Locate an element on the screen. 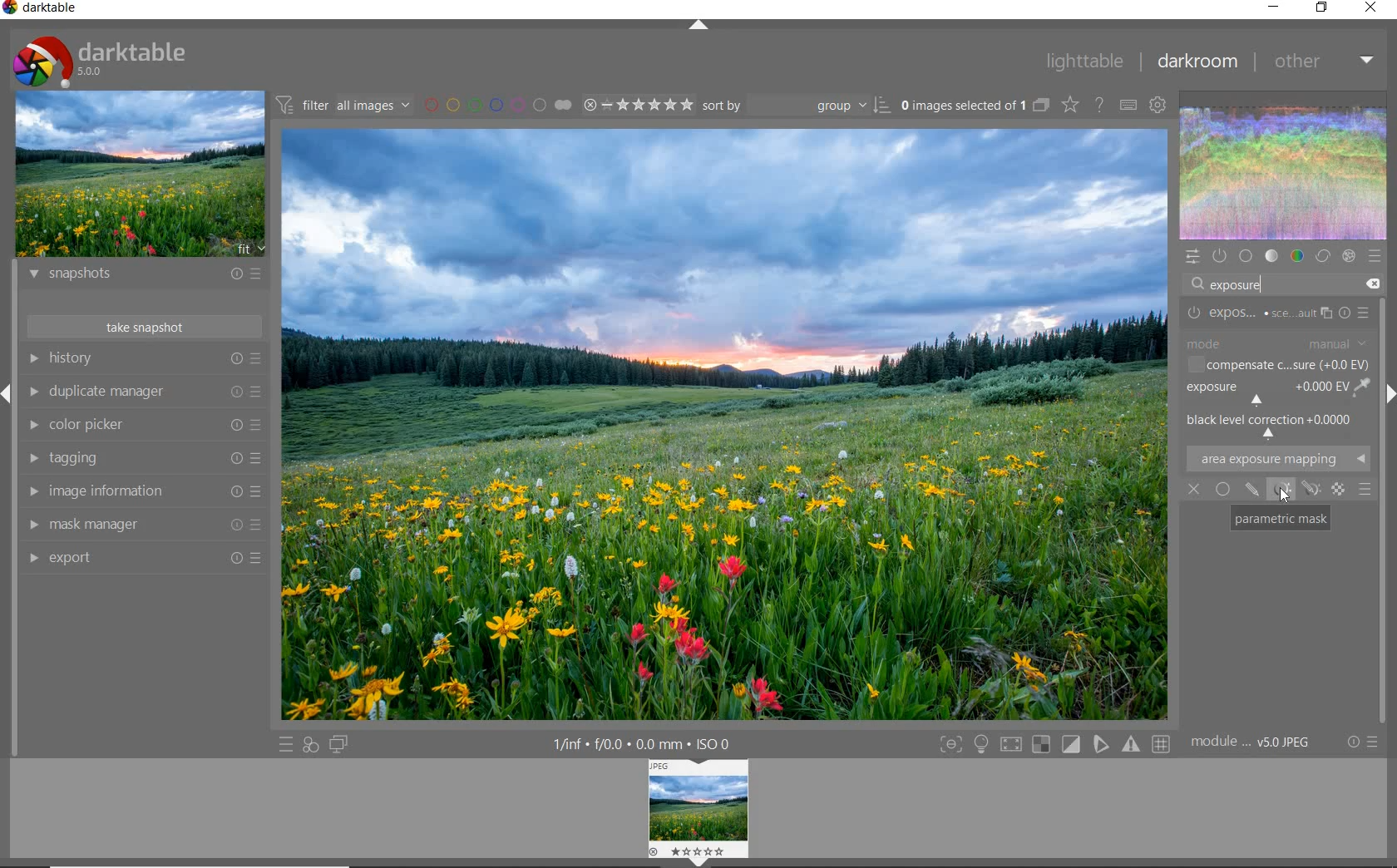 This screenshot has height=868, width=1397. correct is located at coordinates (1323, 257).